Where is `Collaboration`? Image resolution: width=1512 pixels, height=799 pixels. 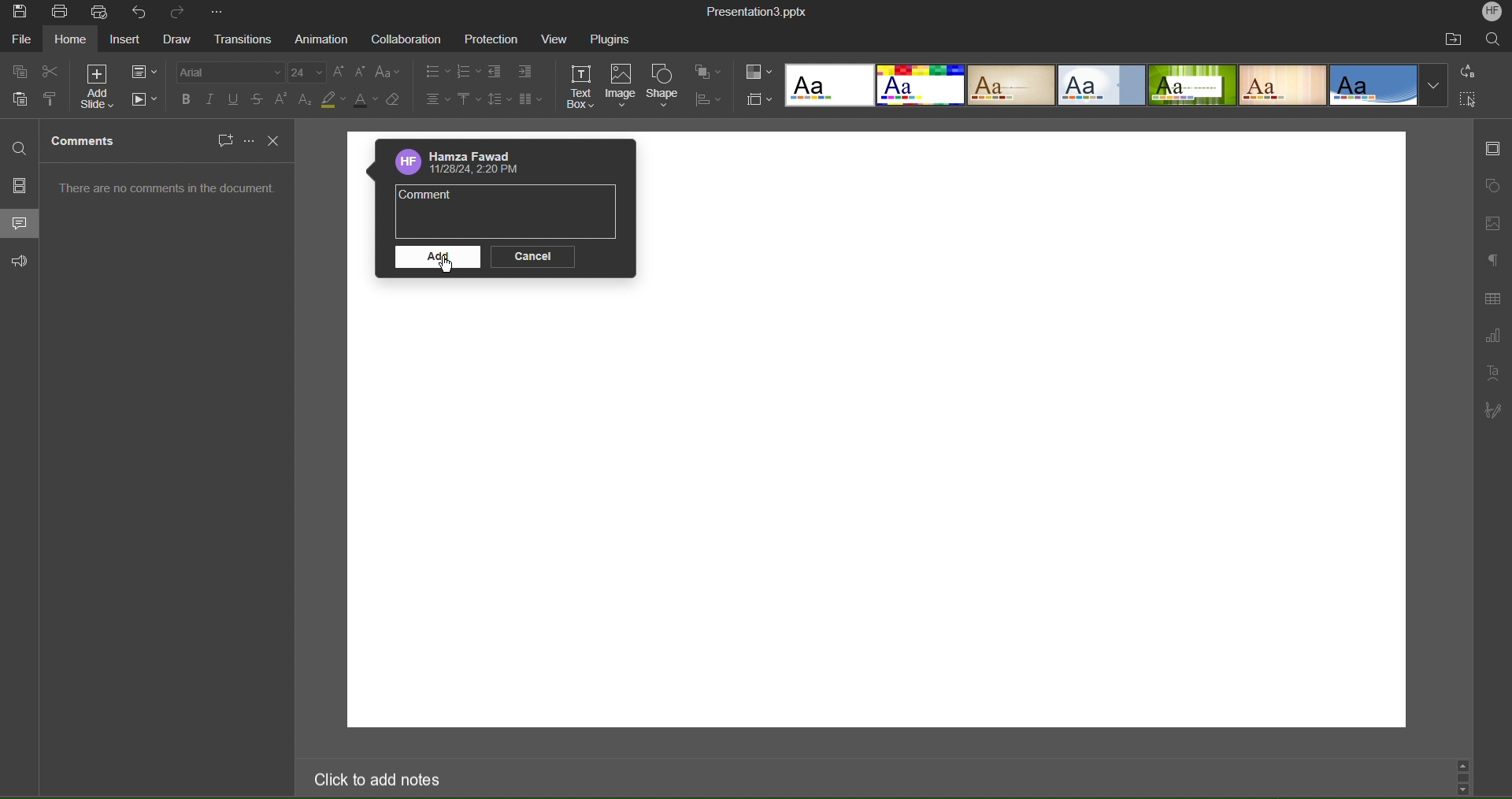
Collaboration is located at coordinates (406, 40).